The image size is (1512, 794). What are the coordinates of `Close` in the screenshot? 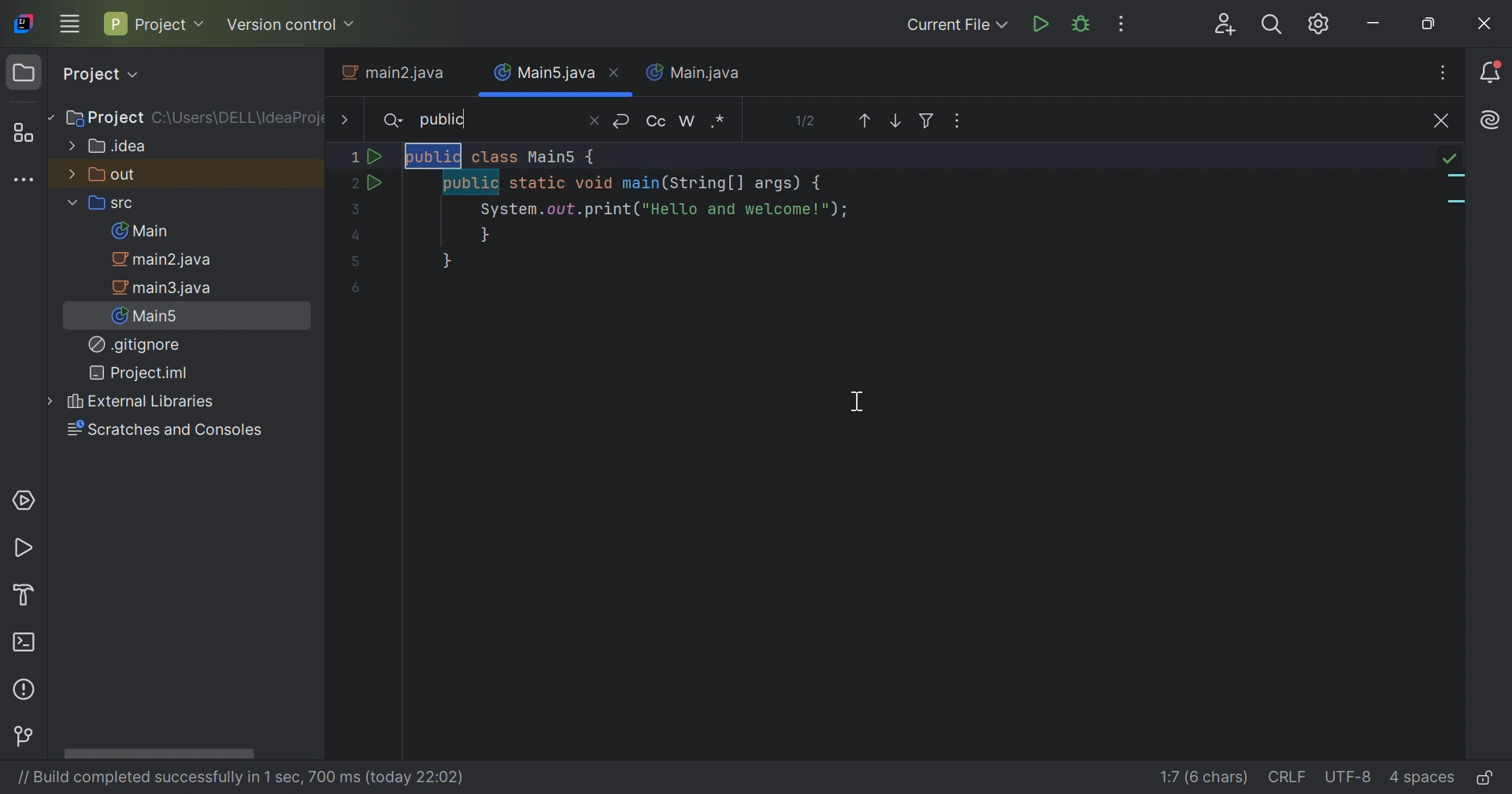 It's located at (1486, 26).